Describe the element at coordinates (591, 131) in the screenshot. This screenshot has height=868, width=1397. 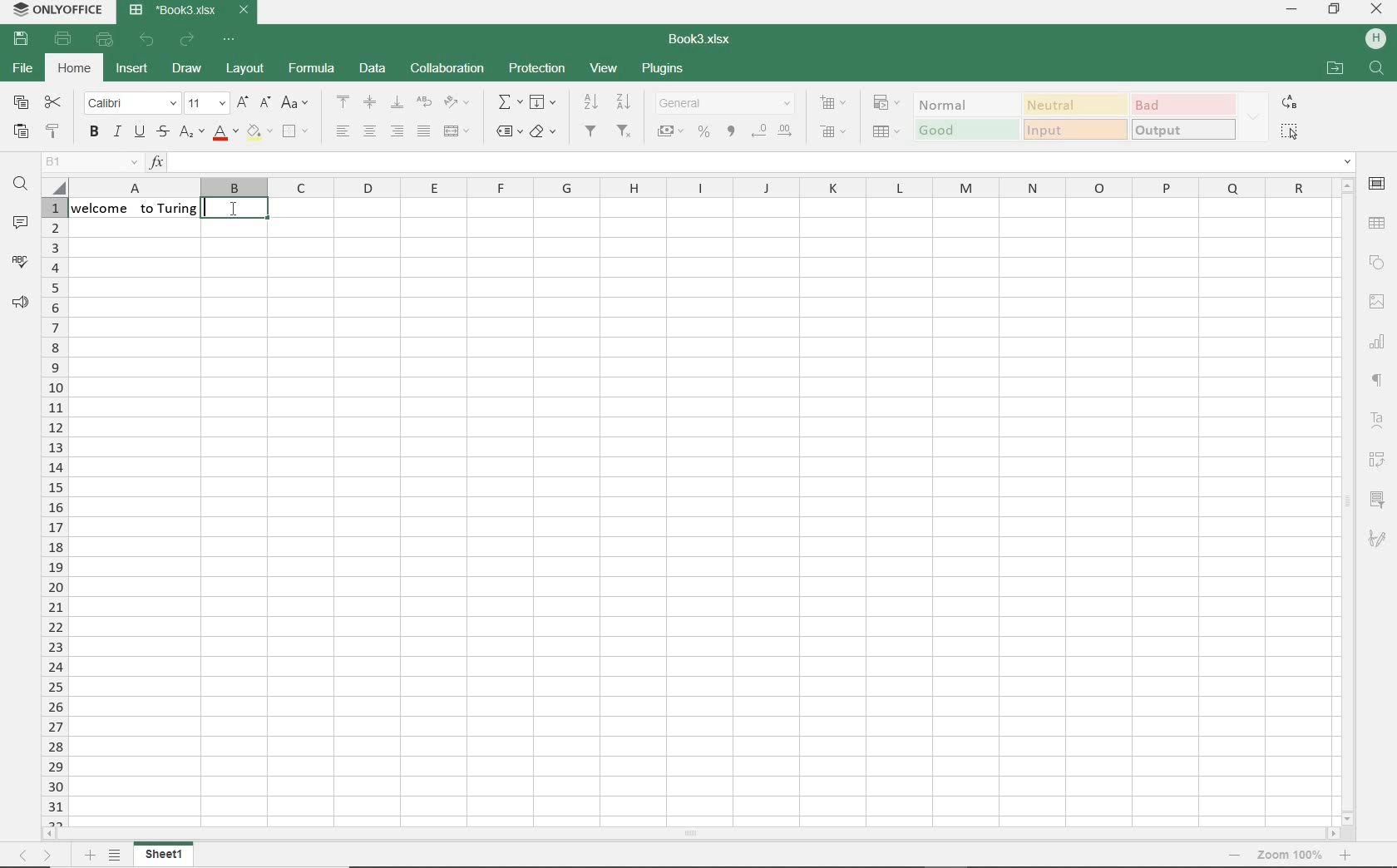
I see `filters` at that location.